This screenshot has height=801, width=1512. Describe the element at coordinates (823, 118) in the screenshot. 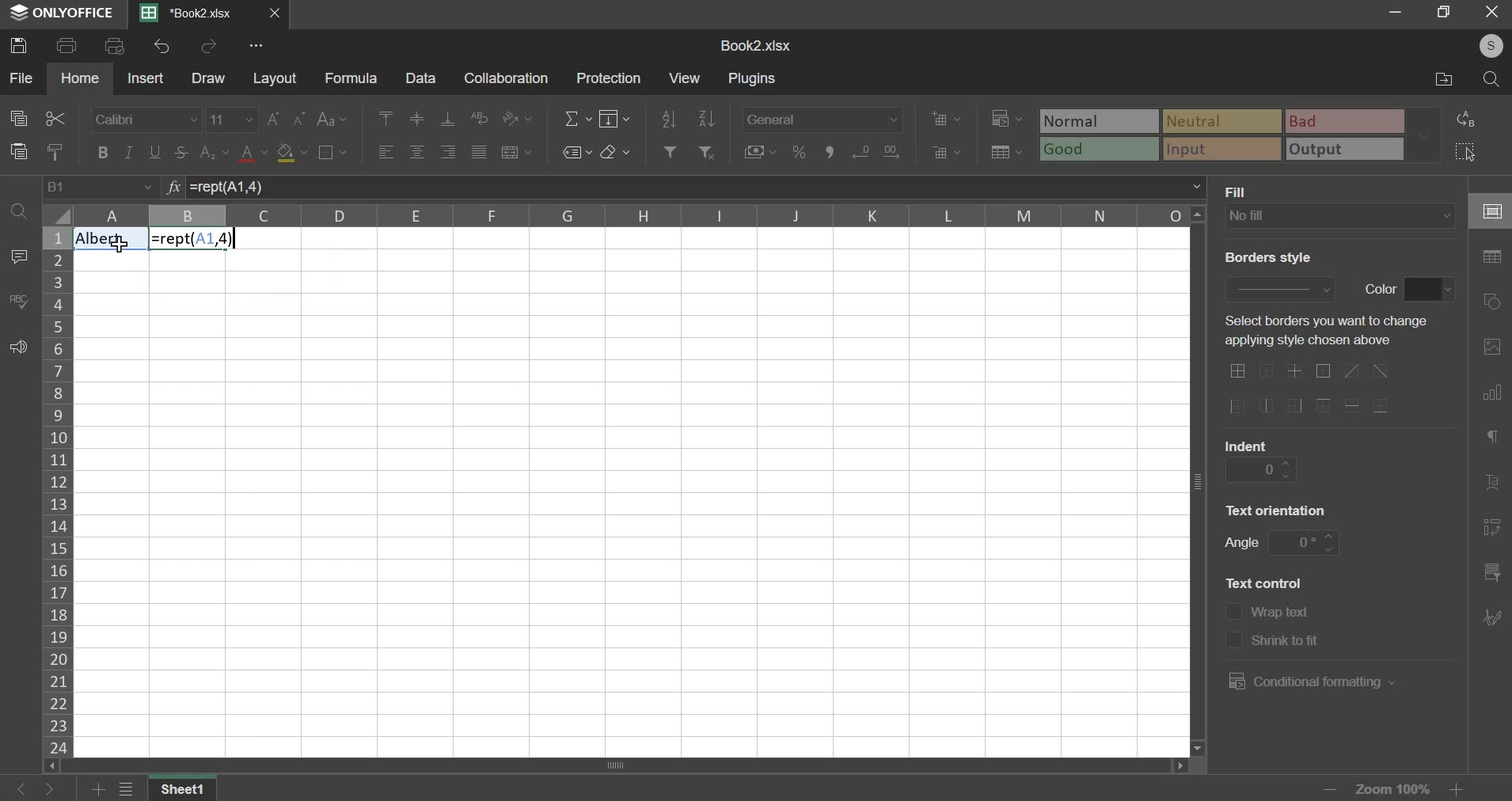

I see `number format` at that location.